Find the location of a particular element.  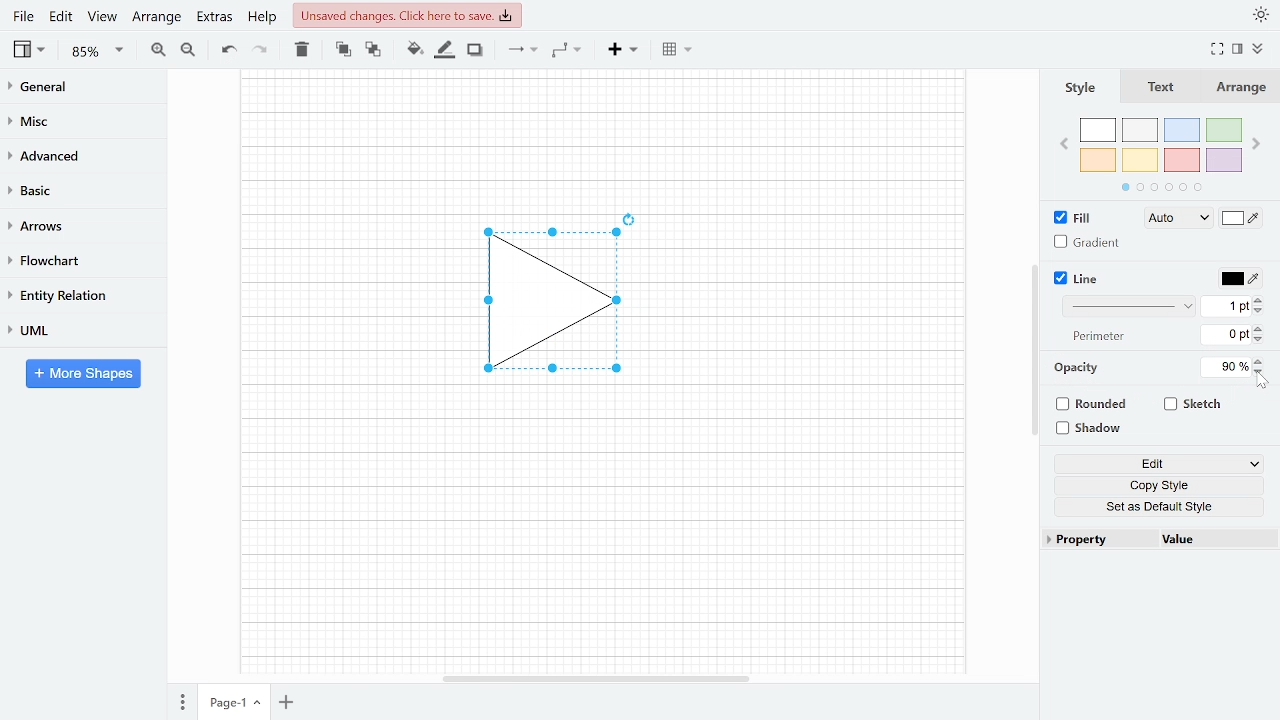

ash is located at coordinates (1142, 131).